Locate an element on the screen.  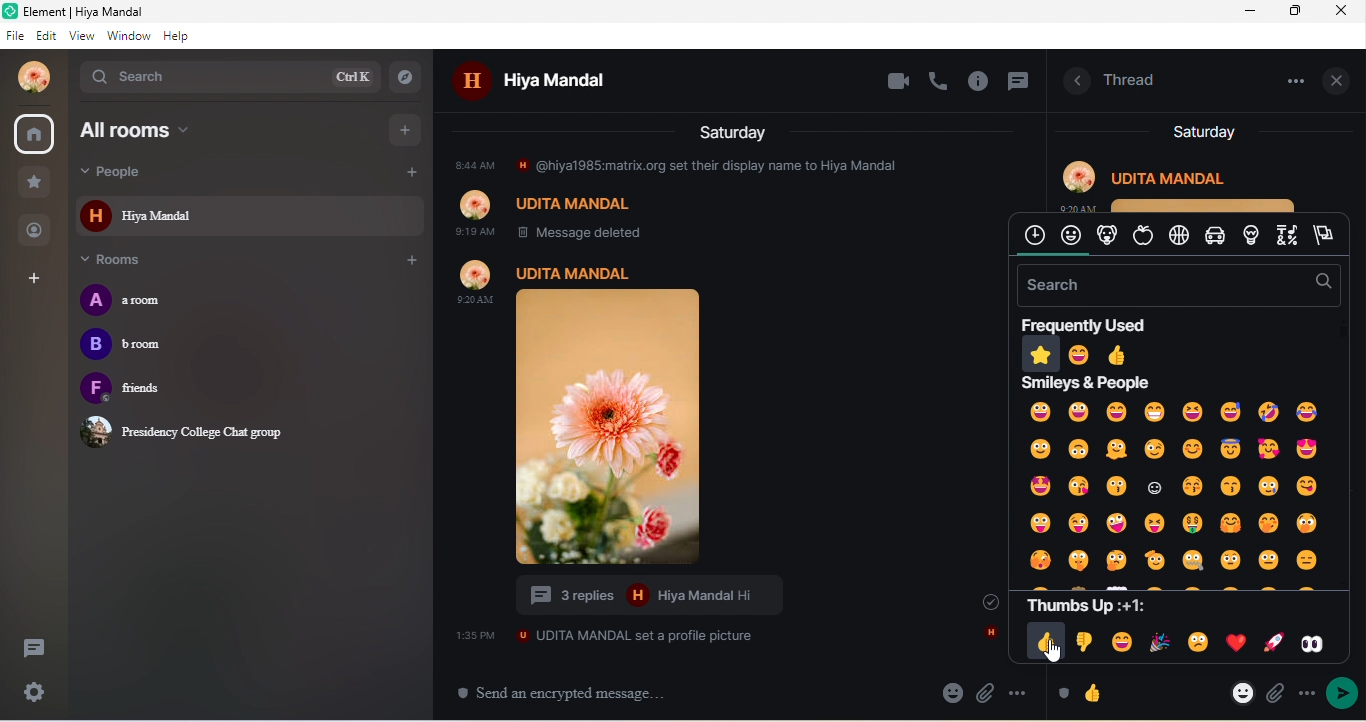
more option is located at coordinates (1305, 691).